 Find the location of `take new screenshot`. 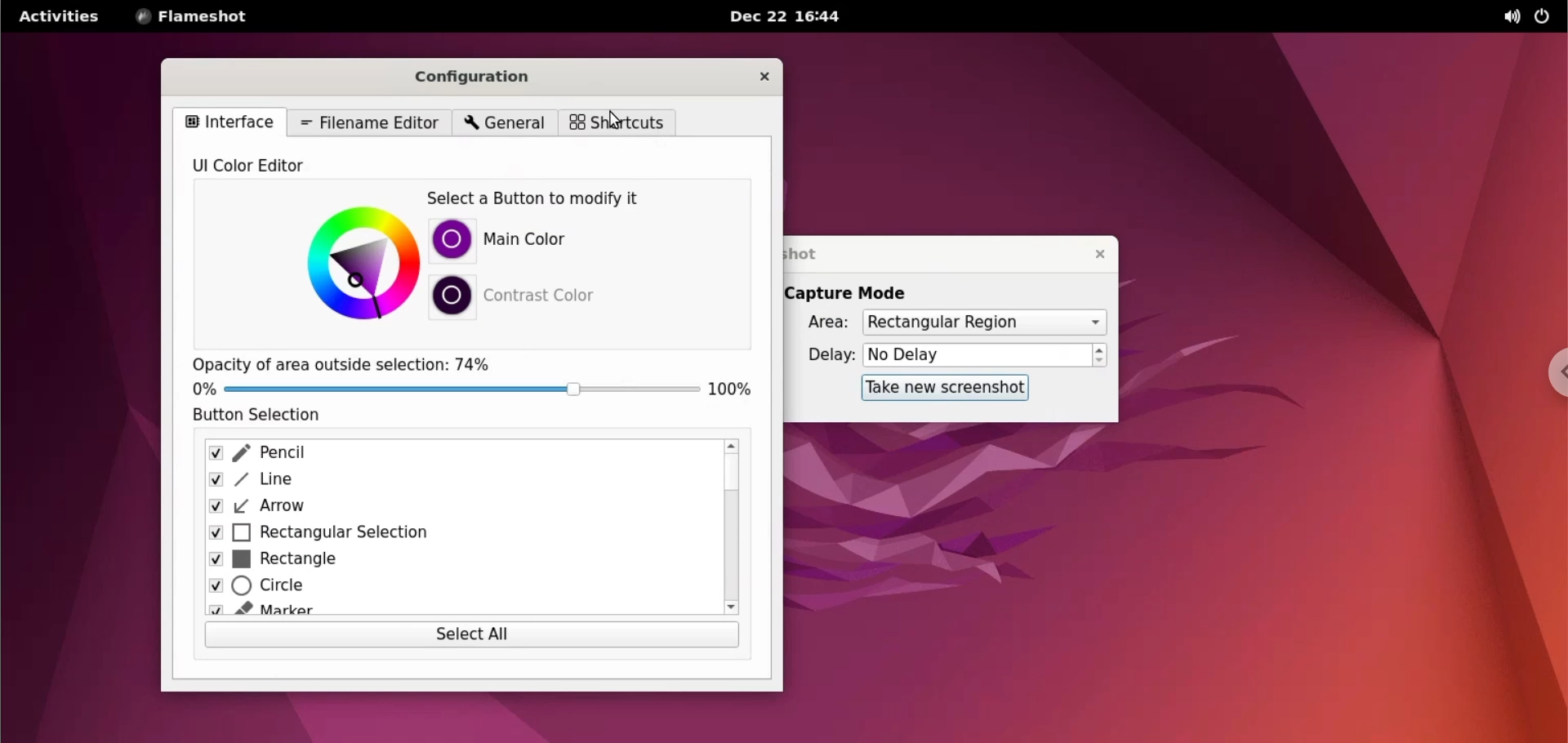

take new screenshot is located at coordinates (947, 388).